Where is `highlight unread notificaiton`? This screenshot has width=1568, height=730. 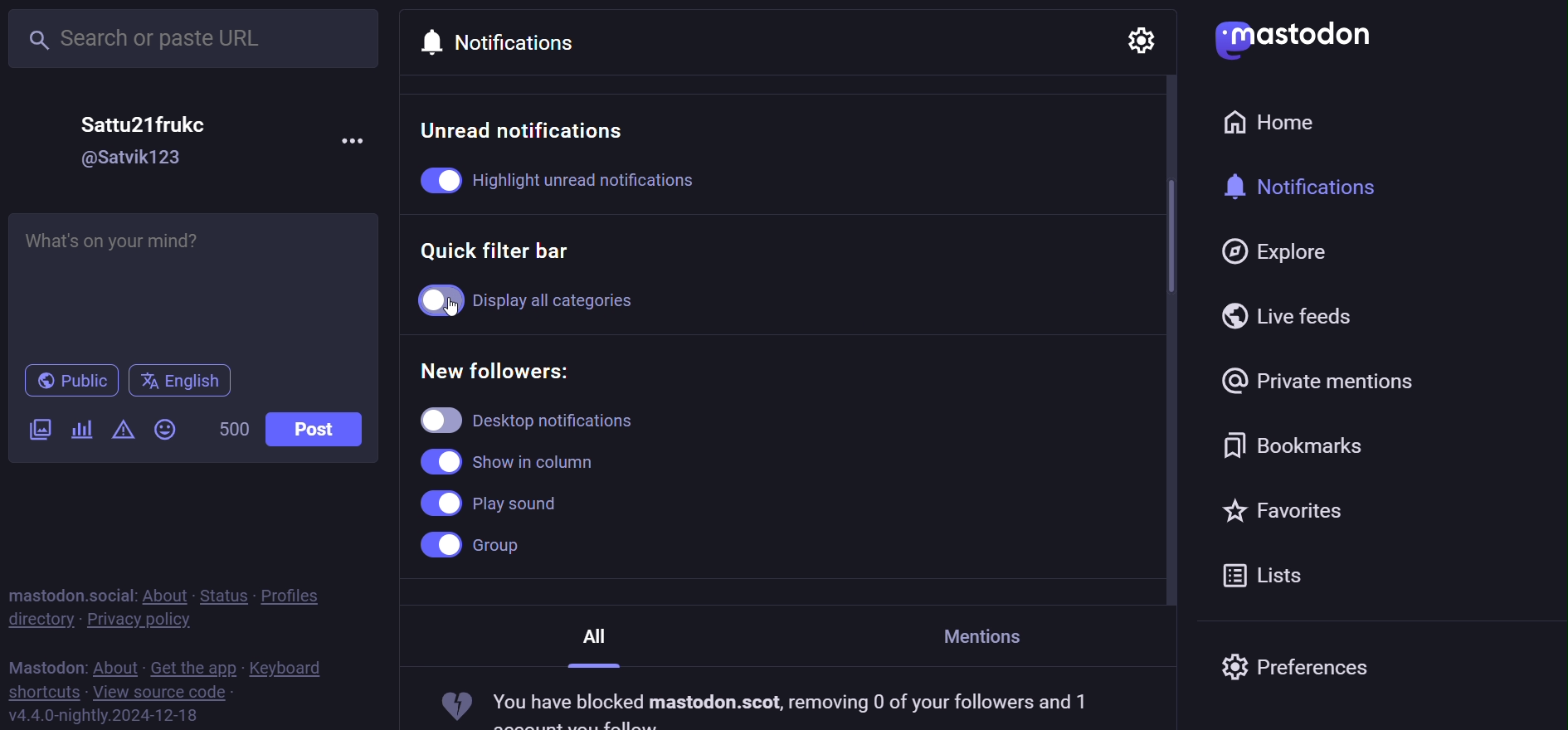
highlight unread notificaiton is located at coordinates (582, 180).